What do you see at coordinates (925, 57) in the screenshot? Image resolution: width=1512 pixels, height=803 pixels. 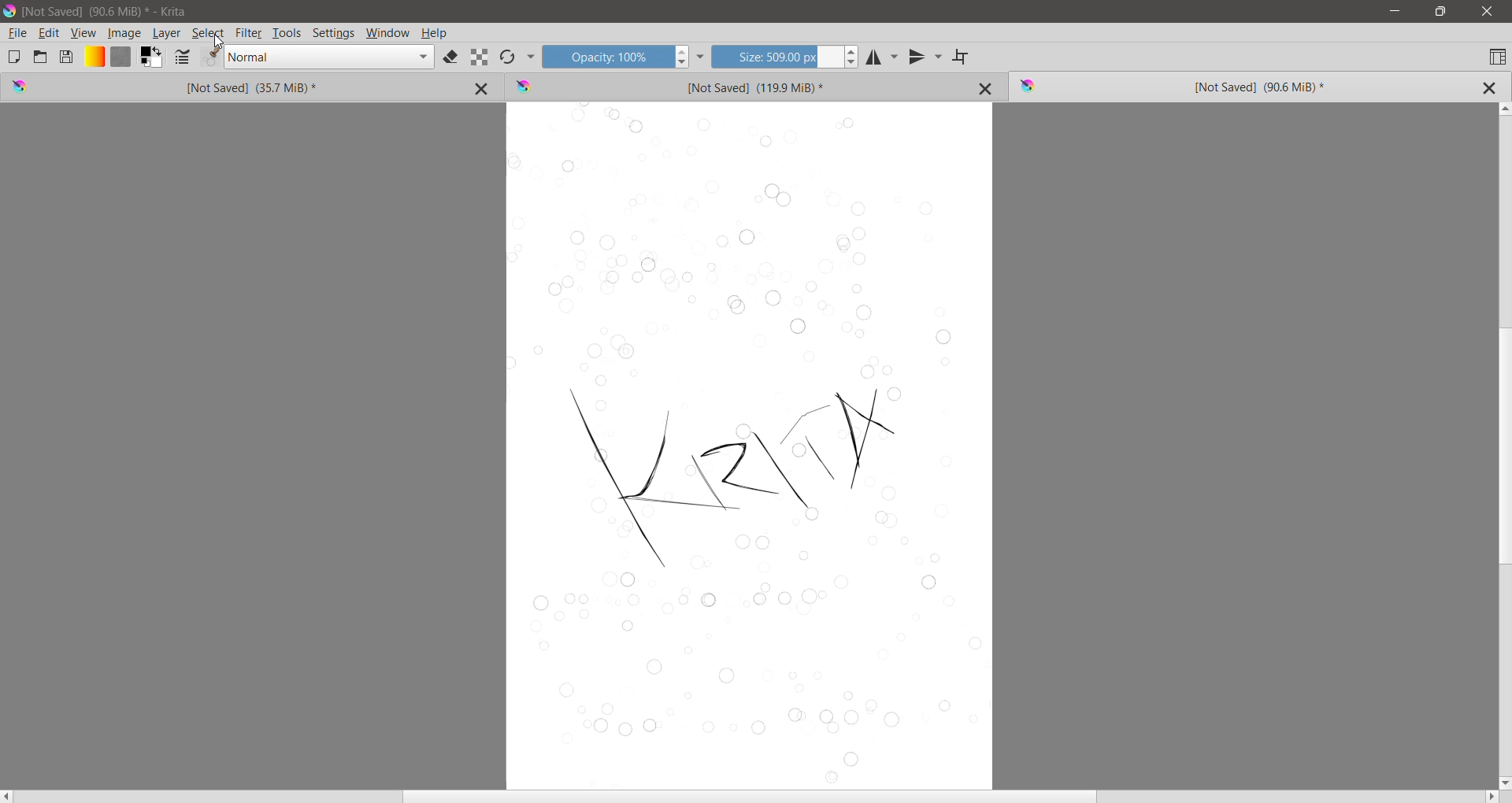 I see `Vertical Mirror Tool` at bounding box center [925, 57].